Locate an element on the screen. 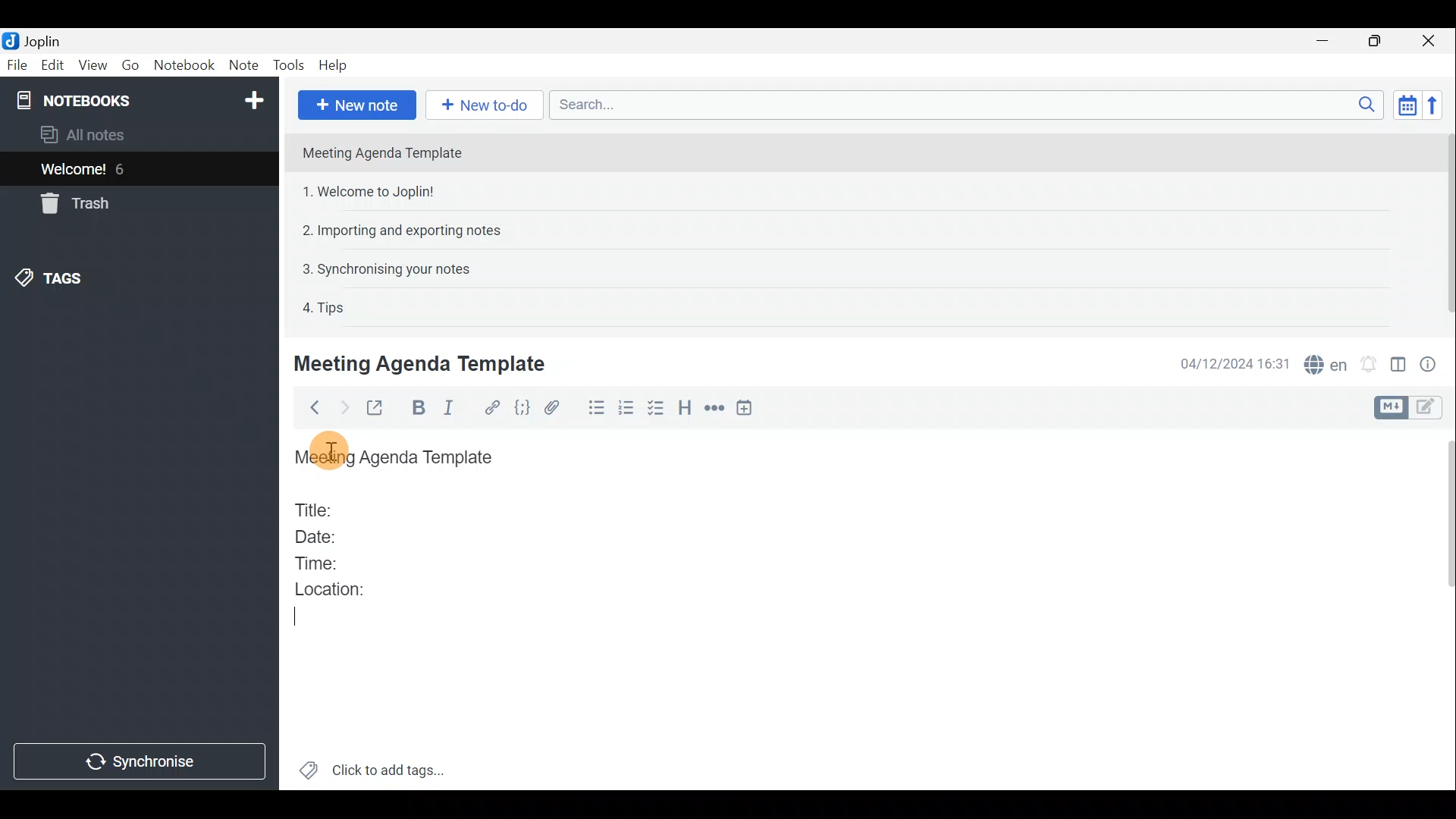  2. Importing and exporting notes is located at coordinates (407, 231).